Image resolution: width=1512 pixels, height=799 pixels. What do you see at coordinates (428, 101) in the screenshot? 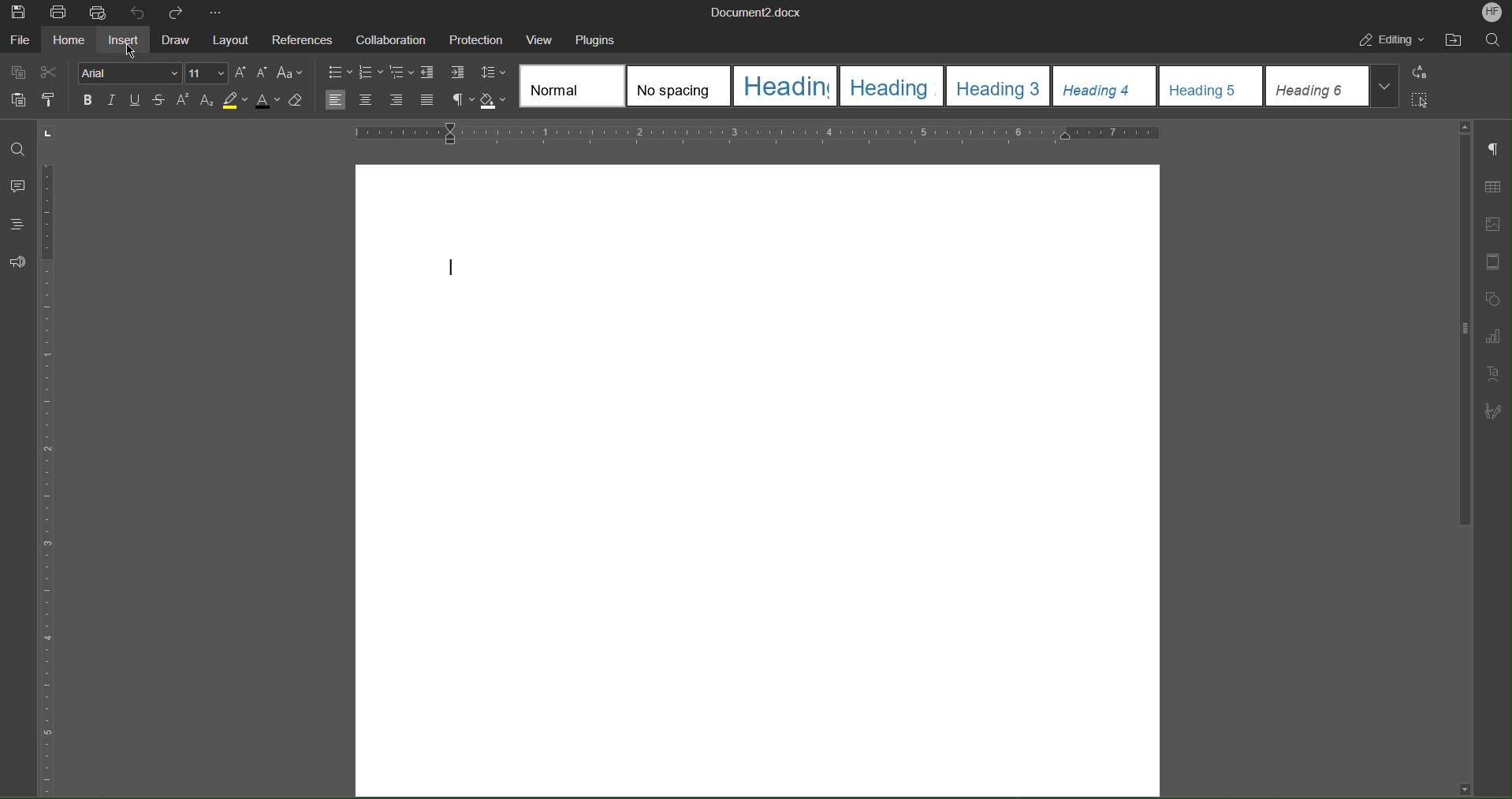
I see `Justify` at bounding box center [428, 101].